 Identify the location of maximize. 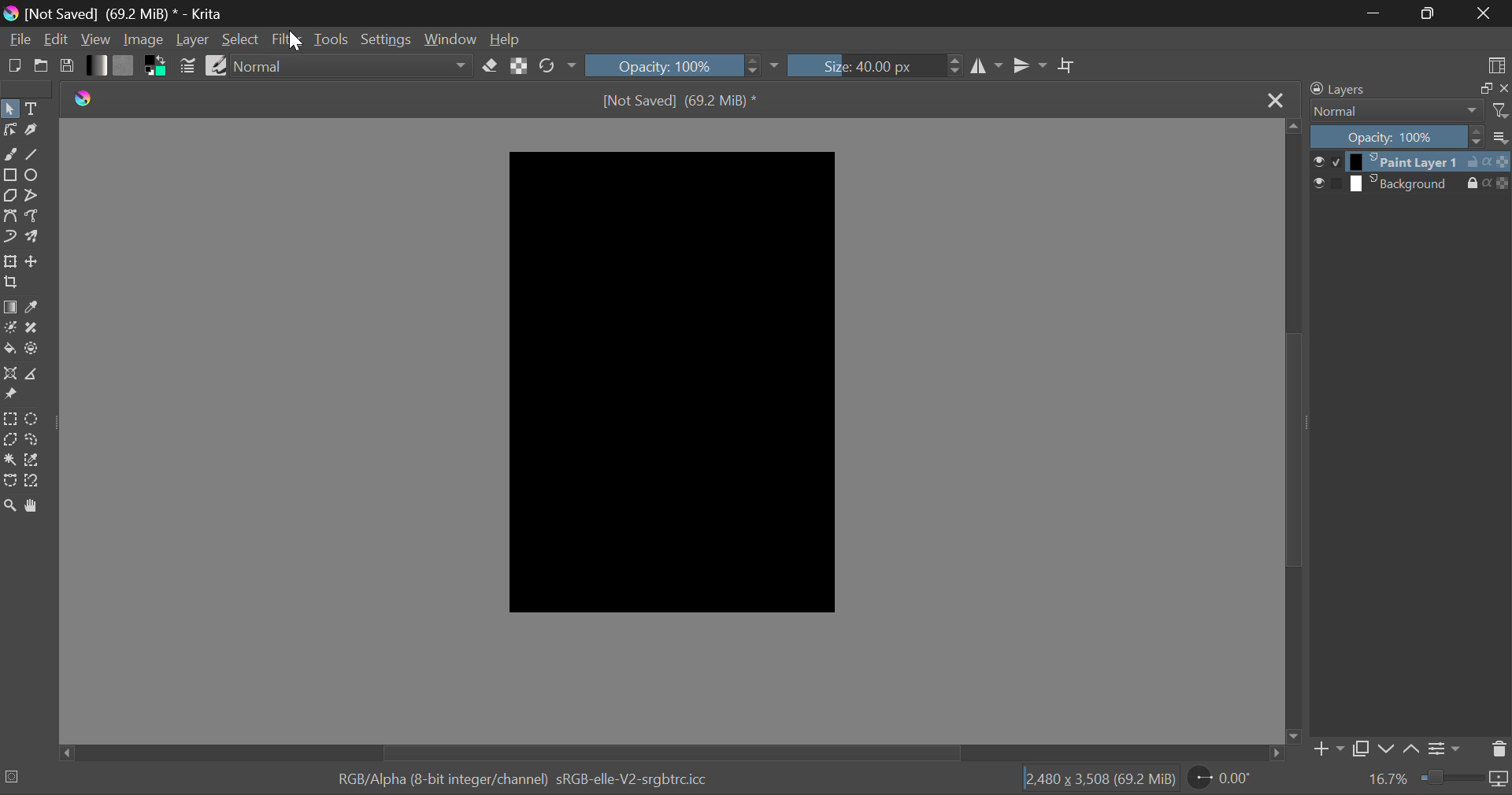
(1480, 88).